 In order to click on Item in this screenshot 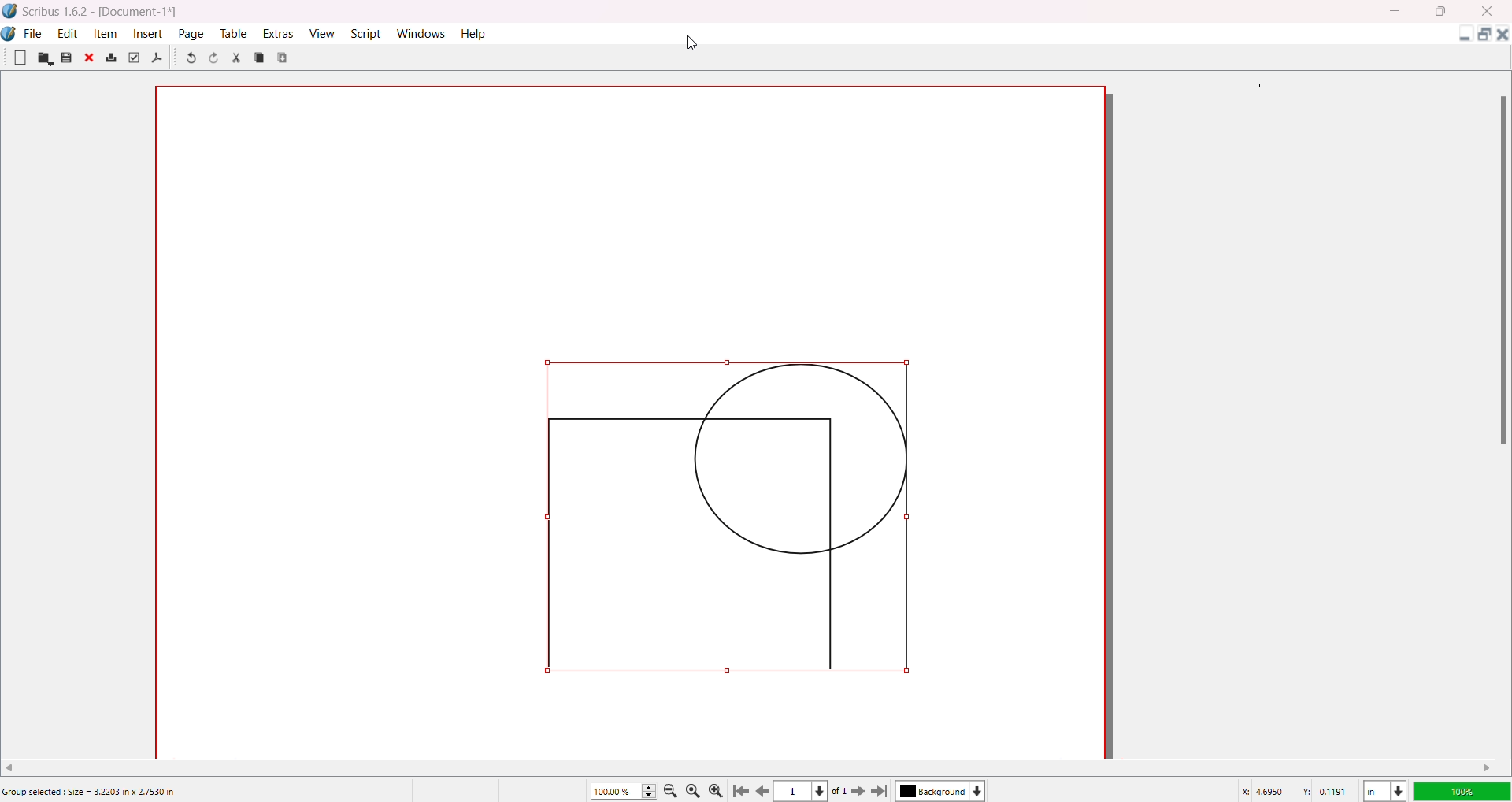, I will do `click(107, 33)`.